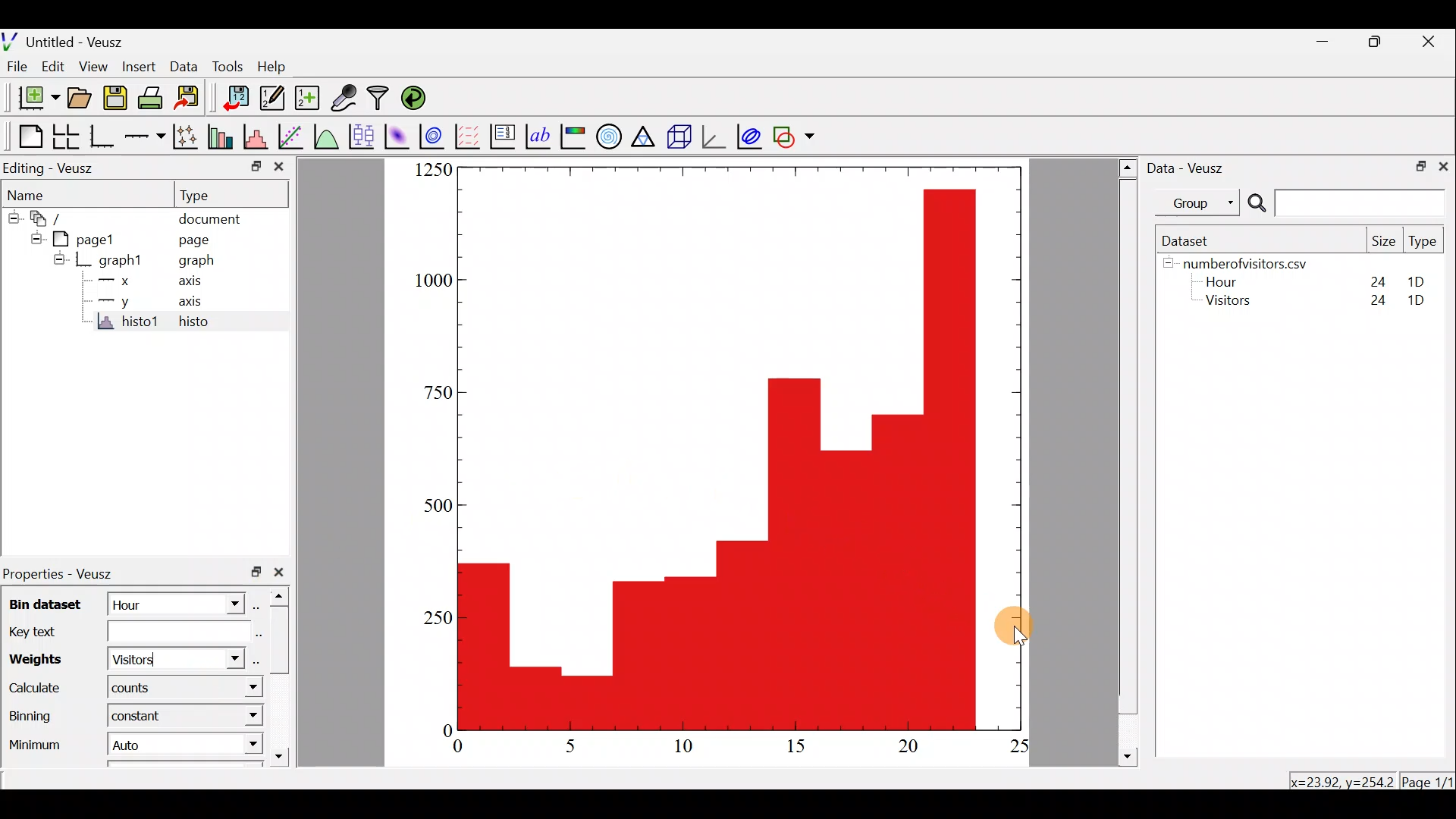 The width and height of the screenshot is (1456, 819). I want to click on hide sub menu, so click(55, 262).